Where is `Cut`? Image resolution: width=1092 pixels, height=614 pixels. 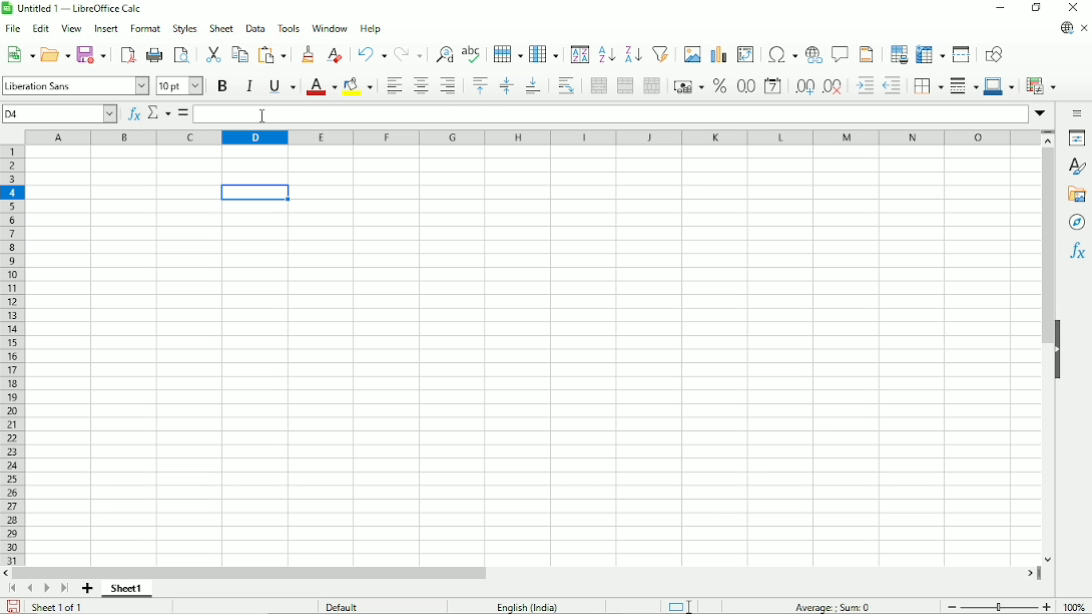
Cut is located at coordinates (213, 54).